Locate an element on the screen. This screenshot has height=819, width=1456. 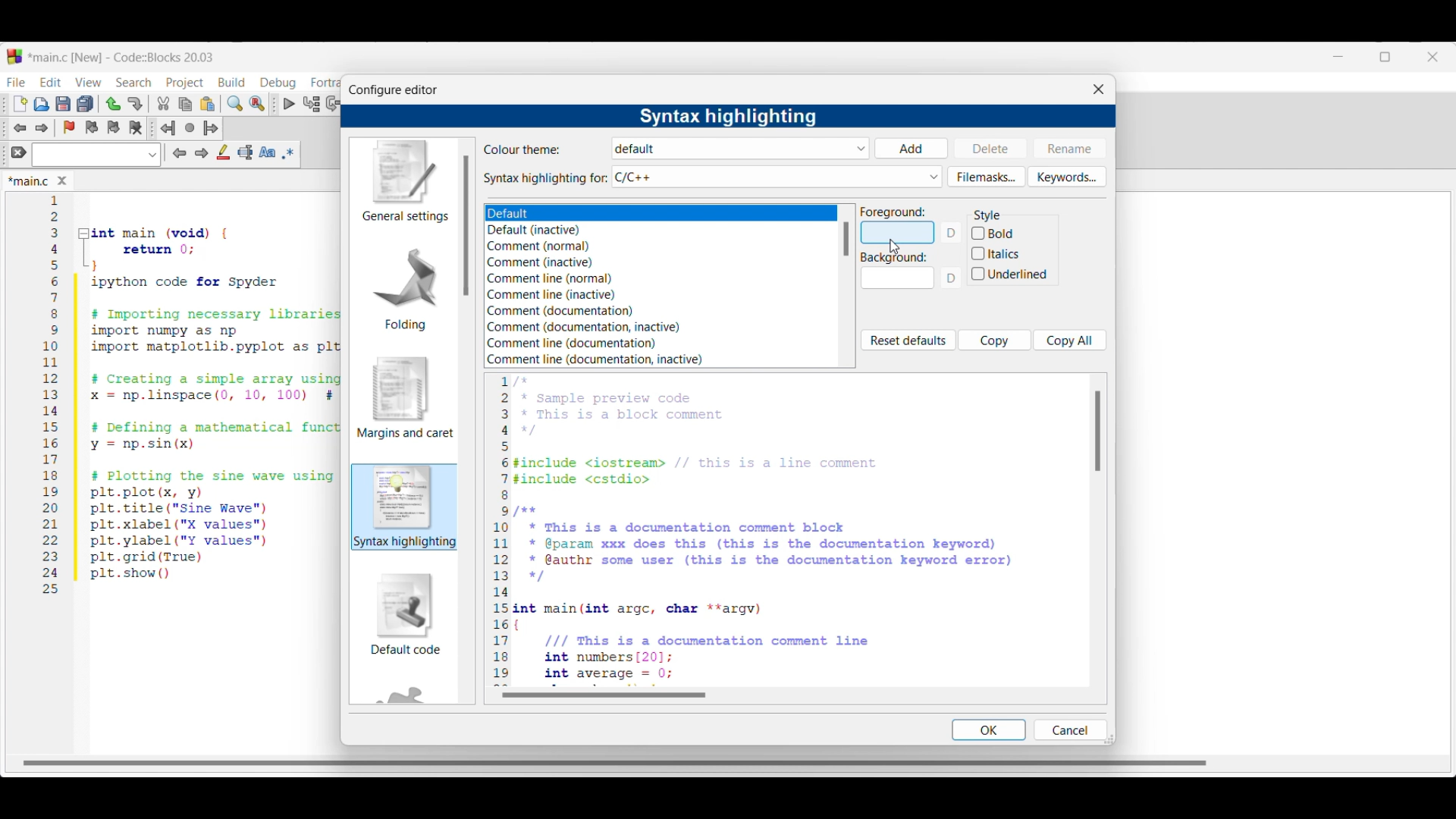
Selected text is located at coordinates (246, 152).